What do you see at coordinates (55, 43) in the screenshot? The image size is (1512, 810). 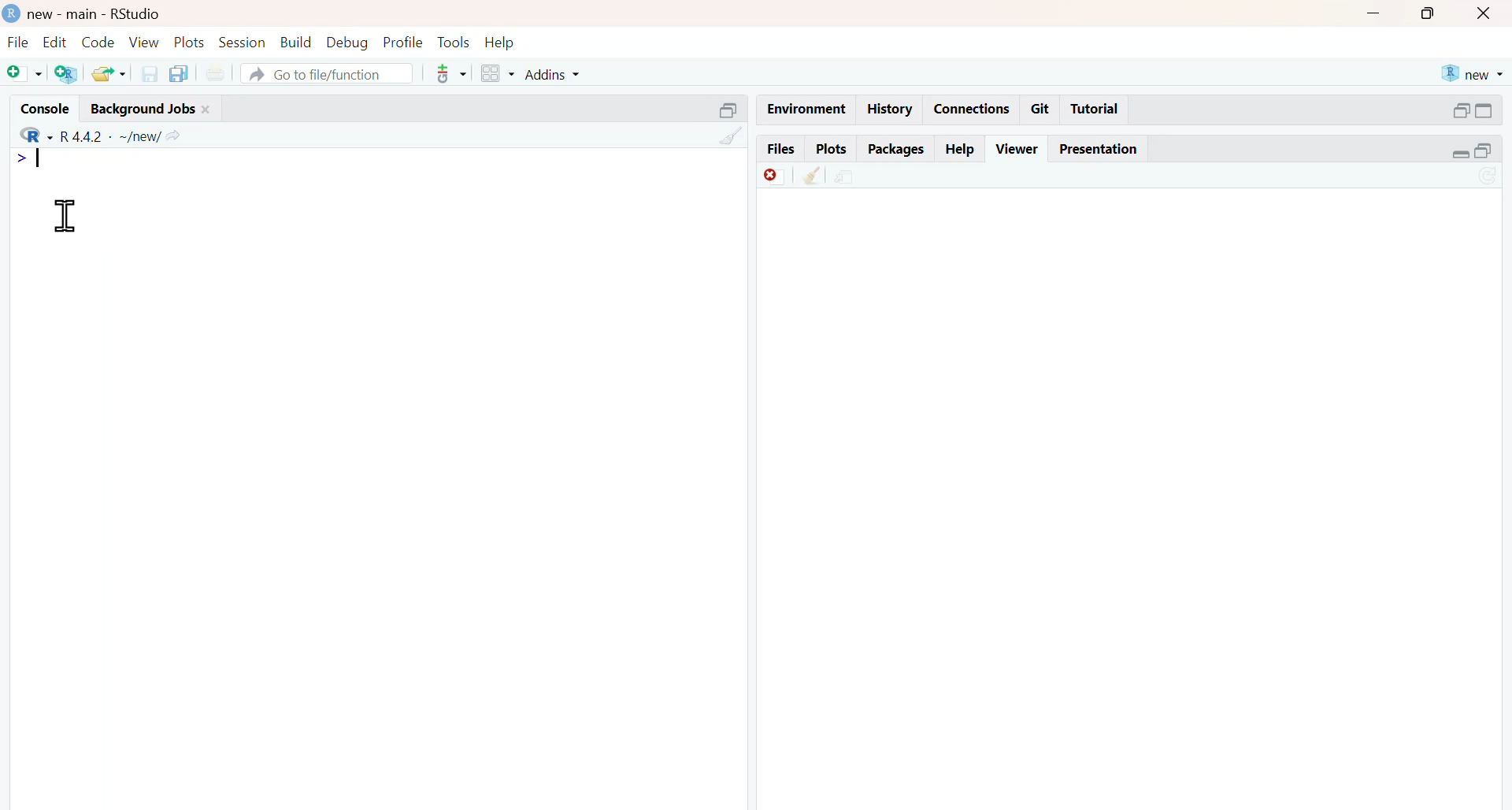 I see `edit` at bounding box center [55, 43].